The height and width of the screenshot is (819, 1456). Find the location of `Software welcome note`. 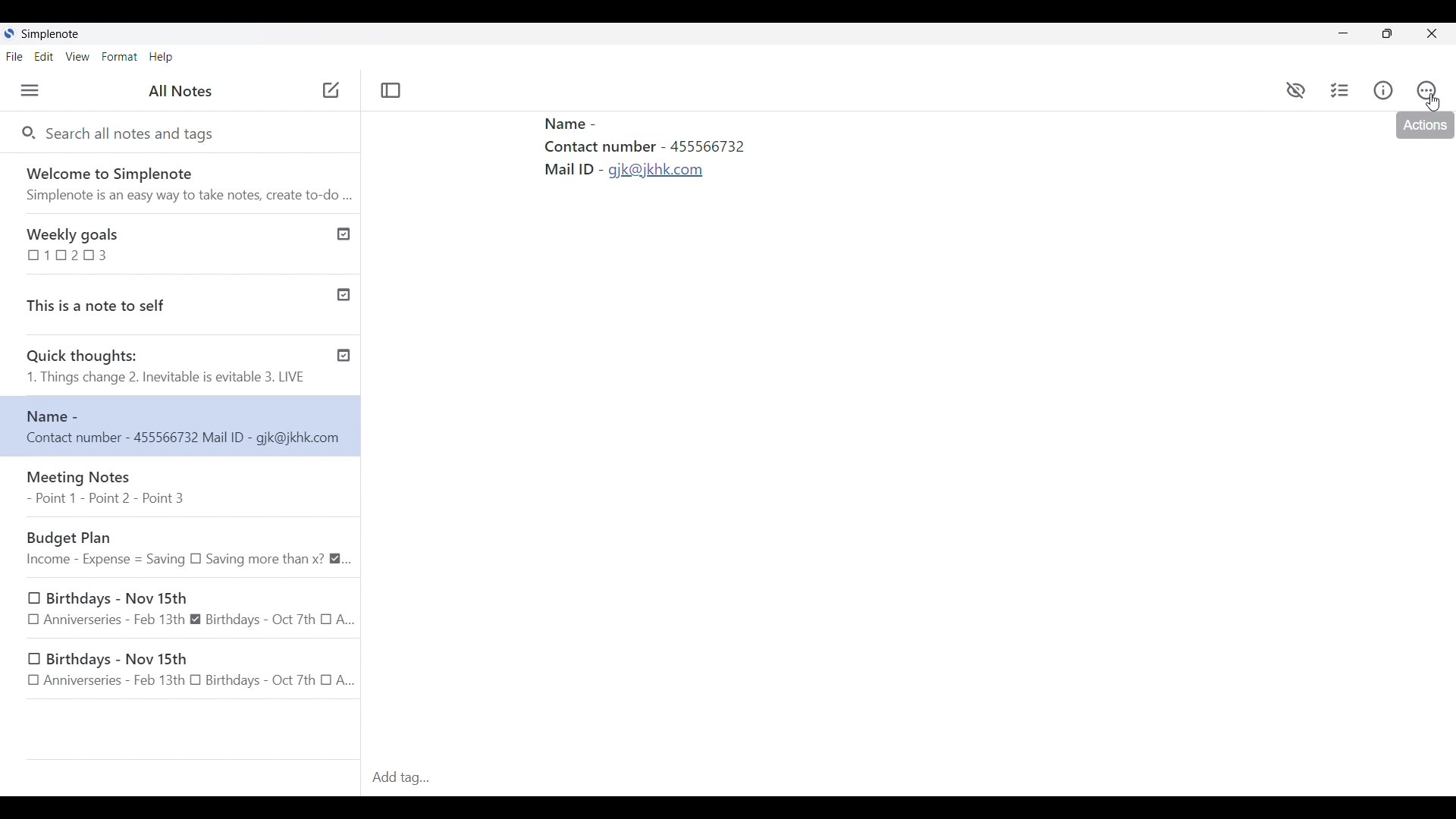

Software welcome note is located at coordinates (179, 180).